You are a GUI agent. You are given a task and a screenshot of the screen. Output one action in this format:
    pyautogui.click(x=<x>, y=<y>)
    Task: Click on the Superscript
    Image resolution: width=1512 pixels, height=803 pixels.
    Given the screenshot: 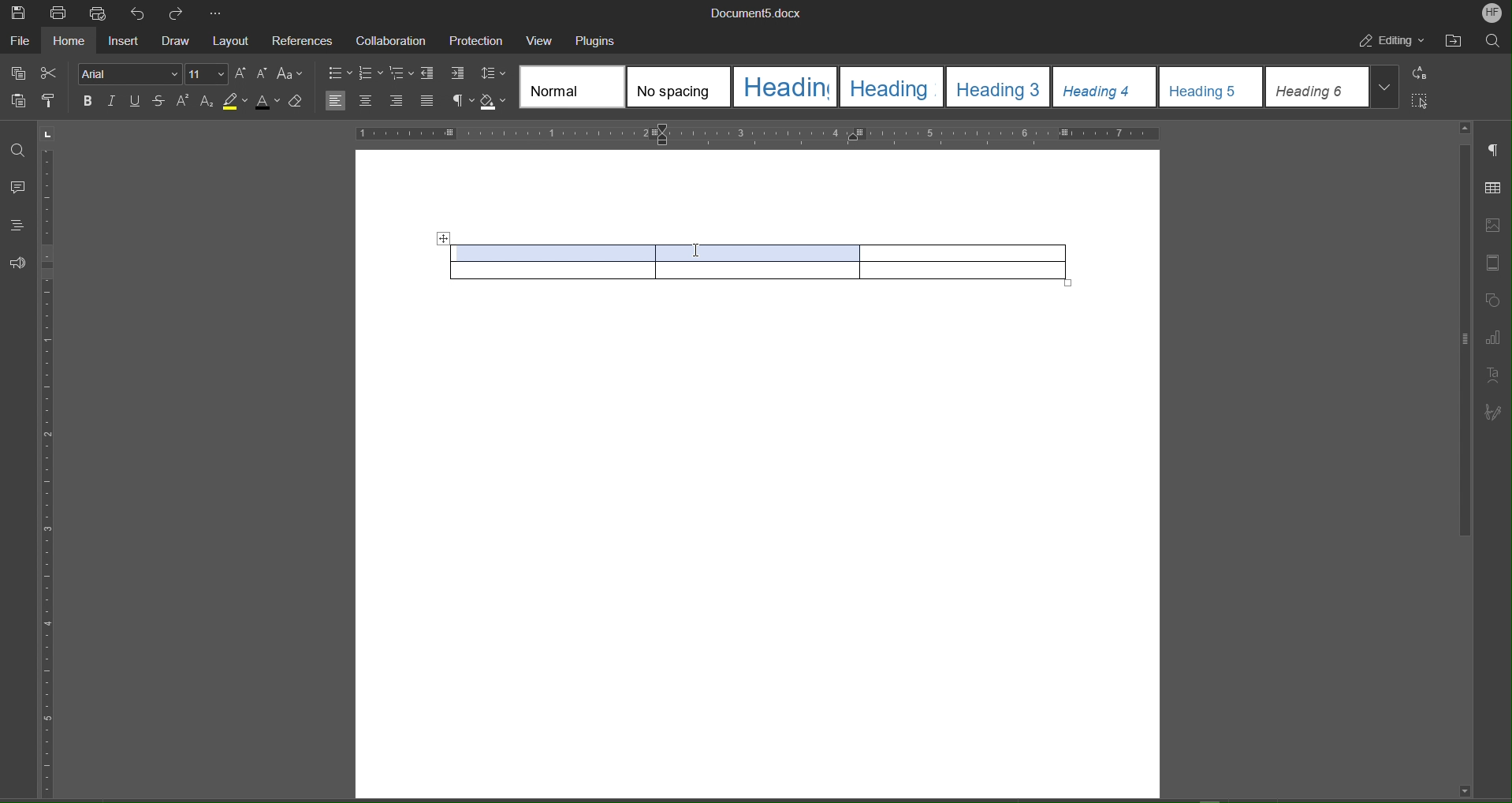 What is the action you would take?
    pyautogui.click(x=184, y=102)
    